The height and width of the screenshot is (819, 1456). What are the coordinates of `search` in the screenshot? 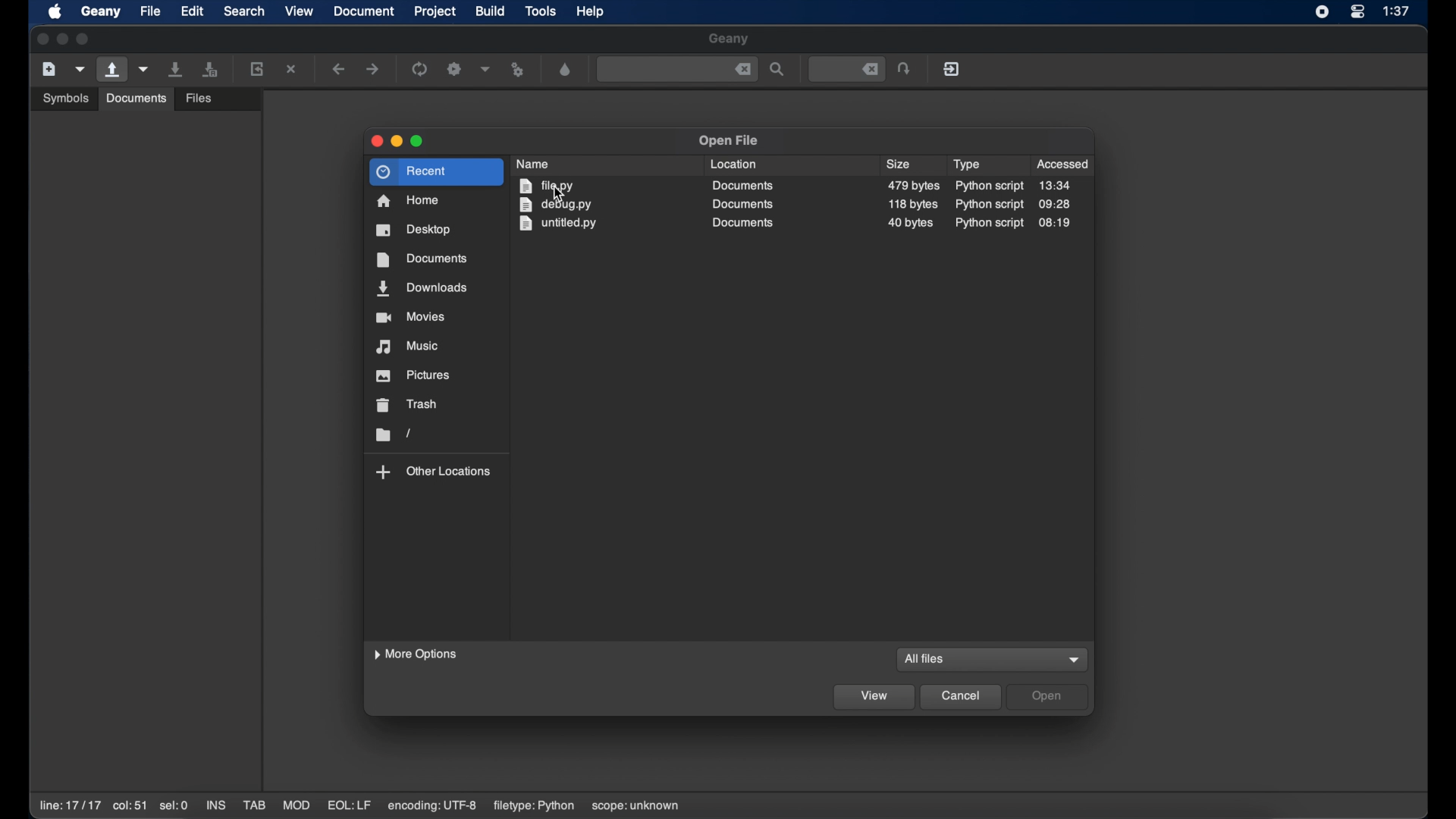 It's located at (244, 11).